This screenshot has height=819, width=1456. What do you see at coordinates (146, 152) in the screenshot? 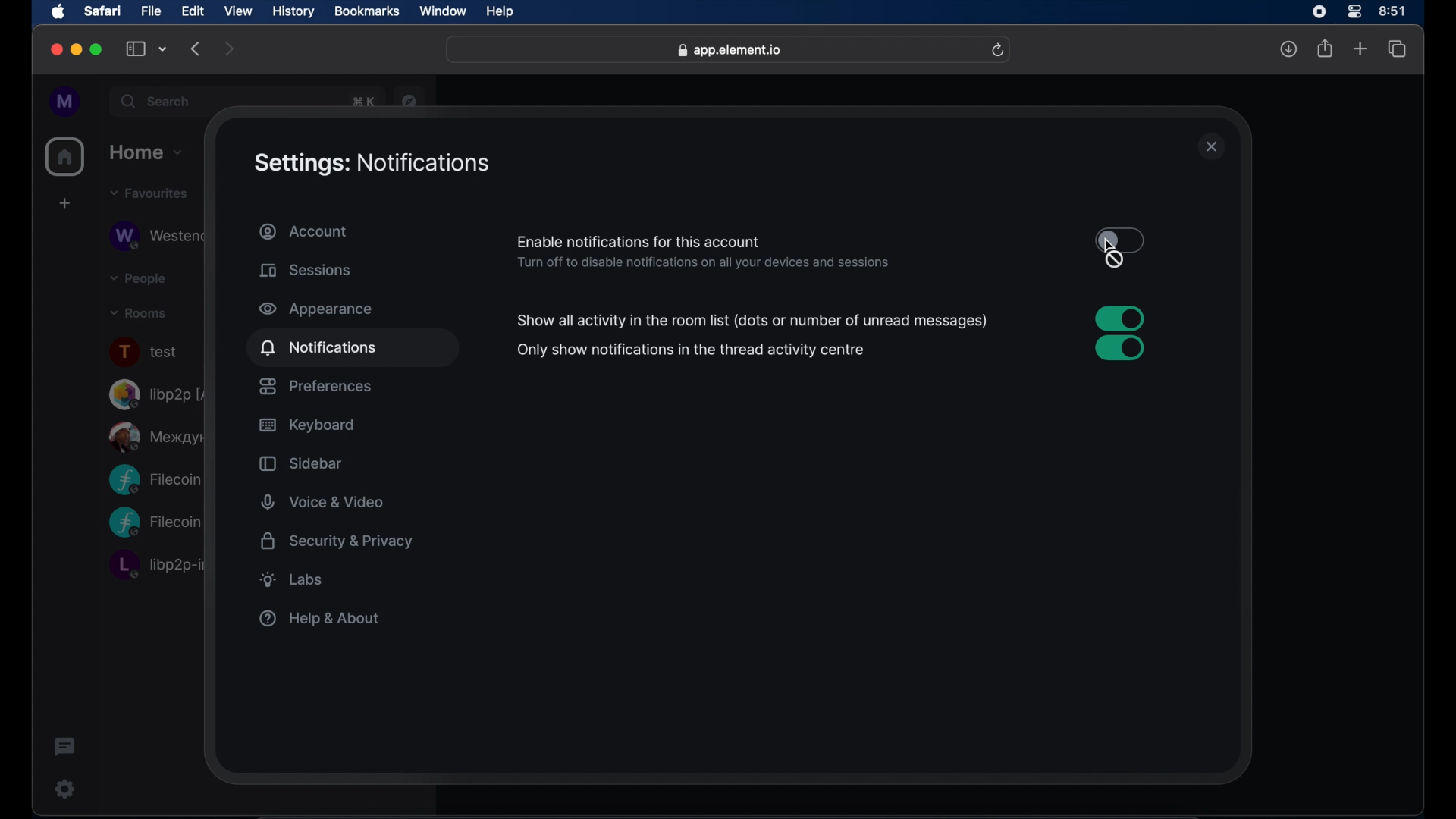
I see `home drop down` at bounding box center [146, 152].